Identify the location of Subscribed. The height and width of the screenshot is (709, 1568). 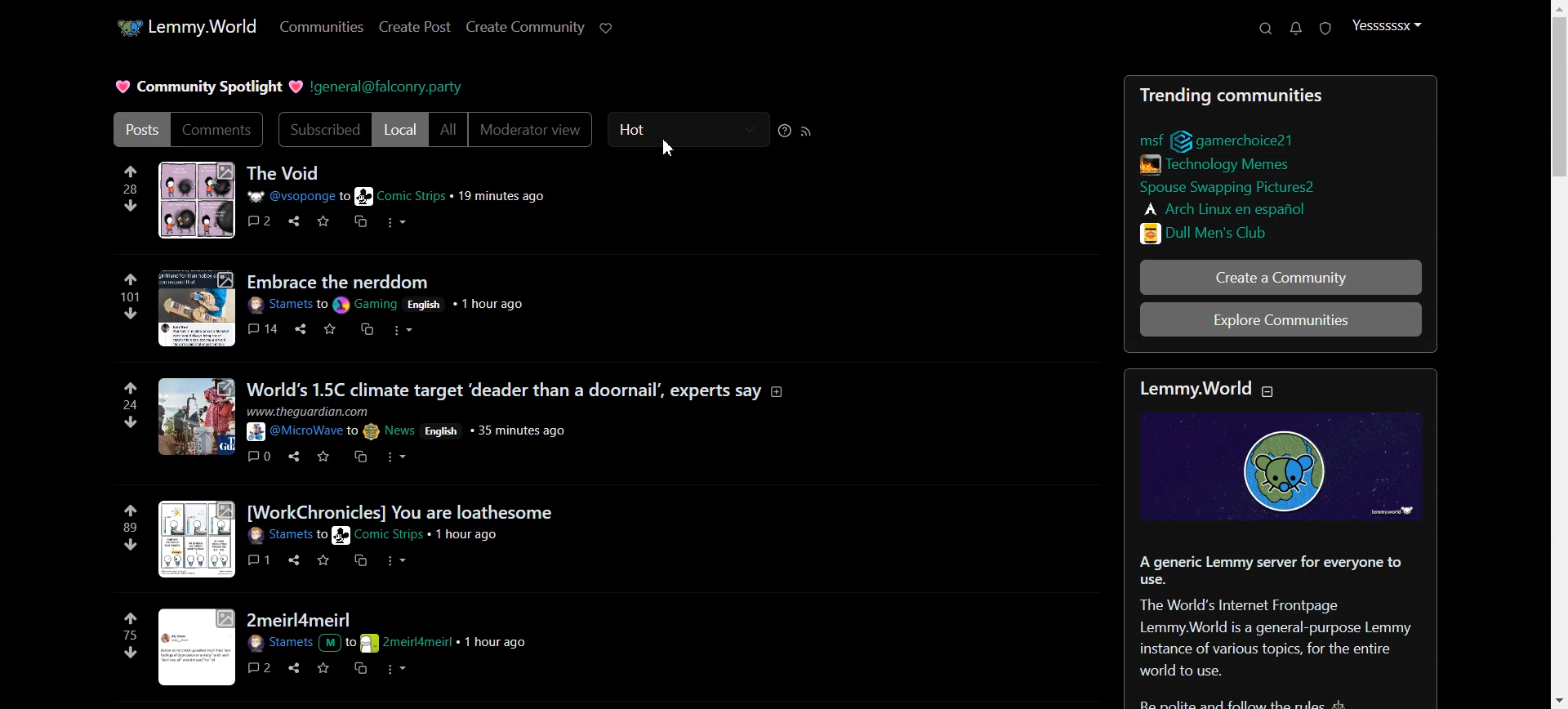
(321, 130).